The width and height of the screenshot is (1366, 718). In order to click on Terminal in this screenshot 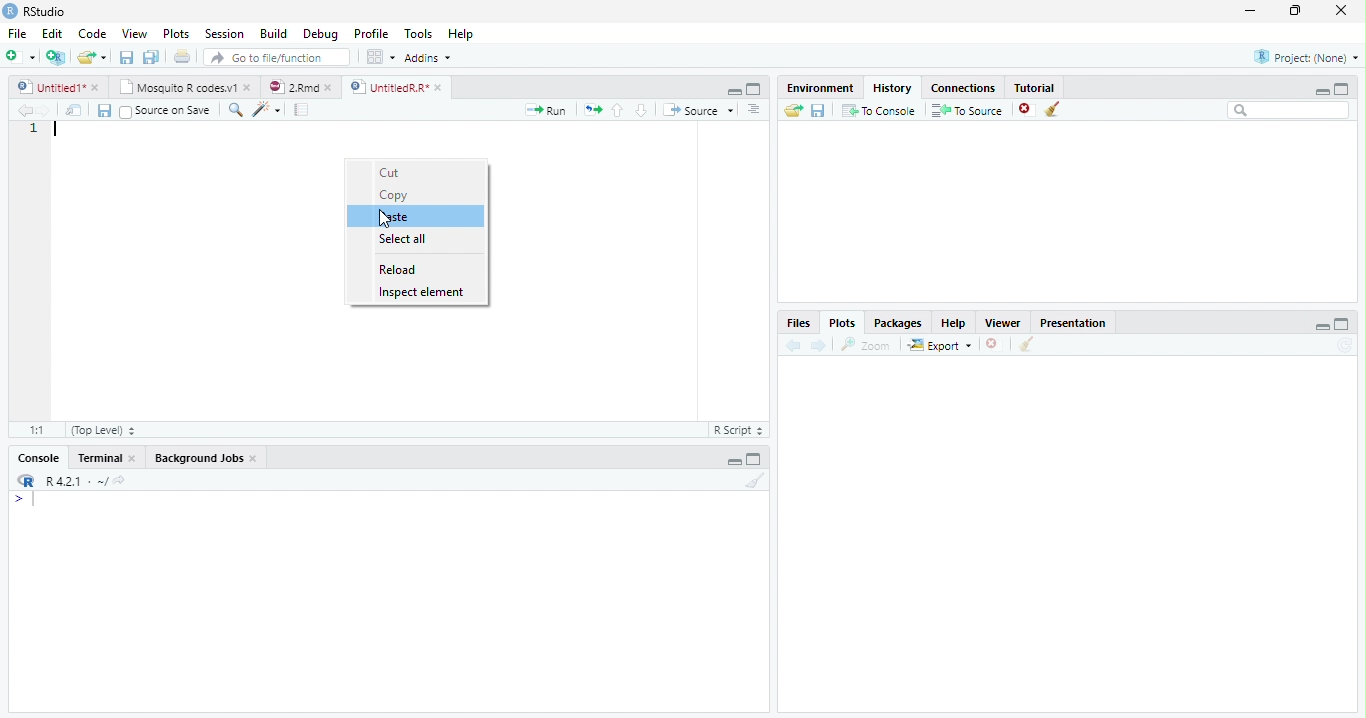, I will do `click(106, 457)`.